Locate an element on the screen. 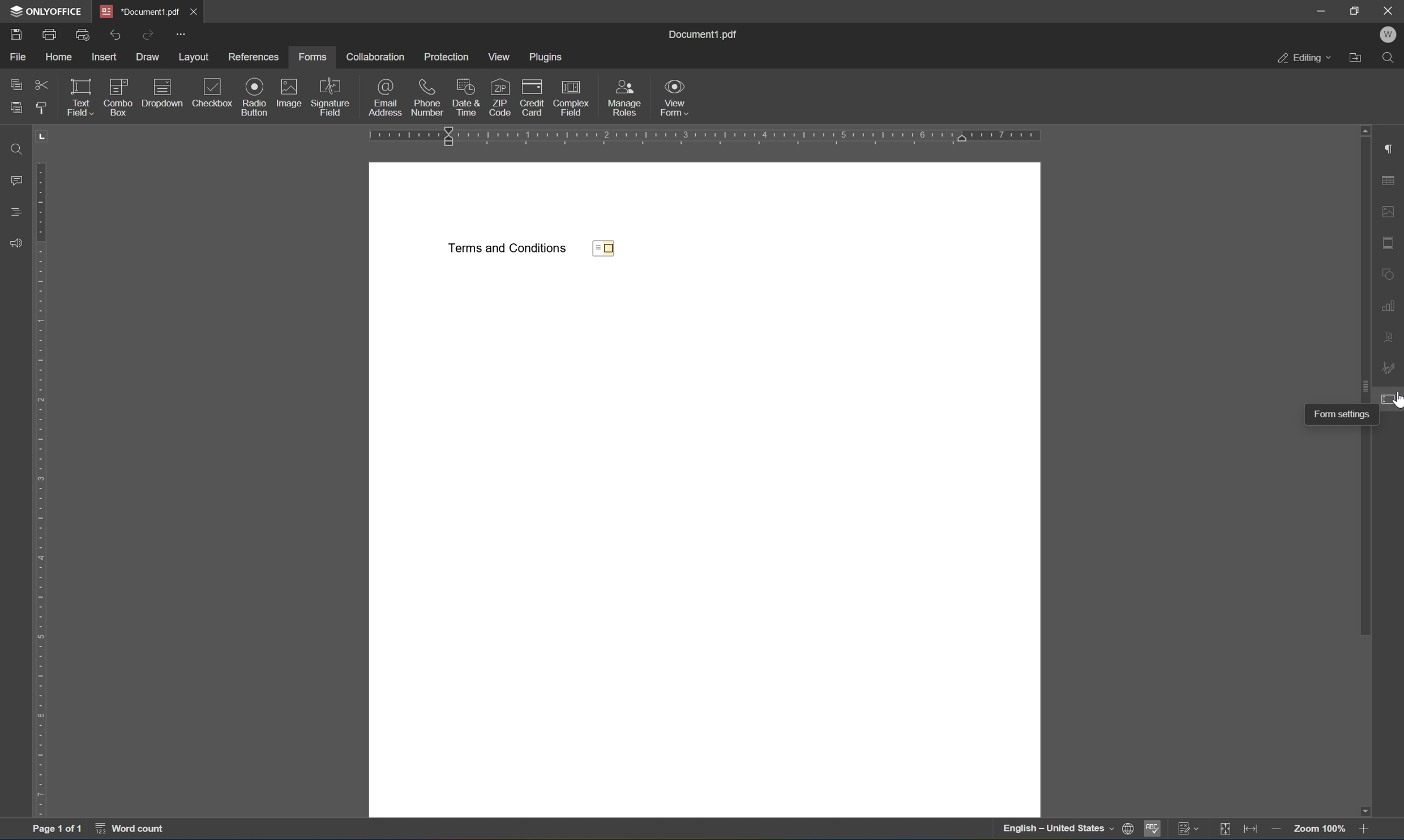 The image size is (1404, 840). plugins is located at coordinates (547, 58).